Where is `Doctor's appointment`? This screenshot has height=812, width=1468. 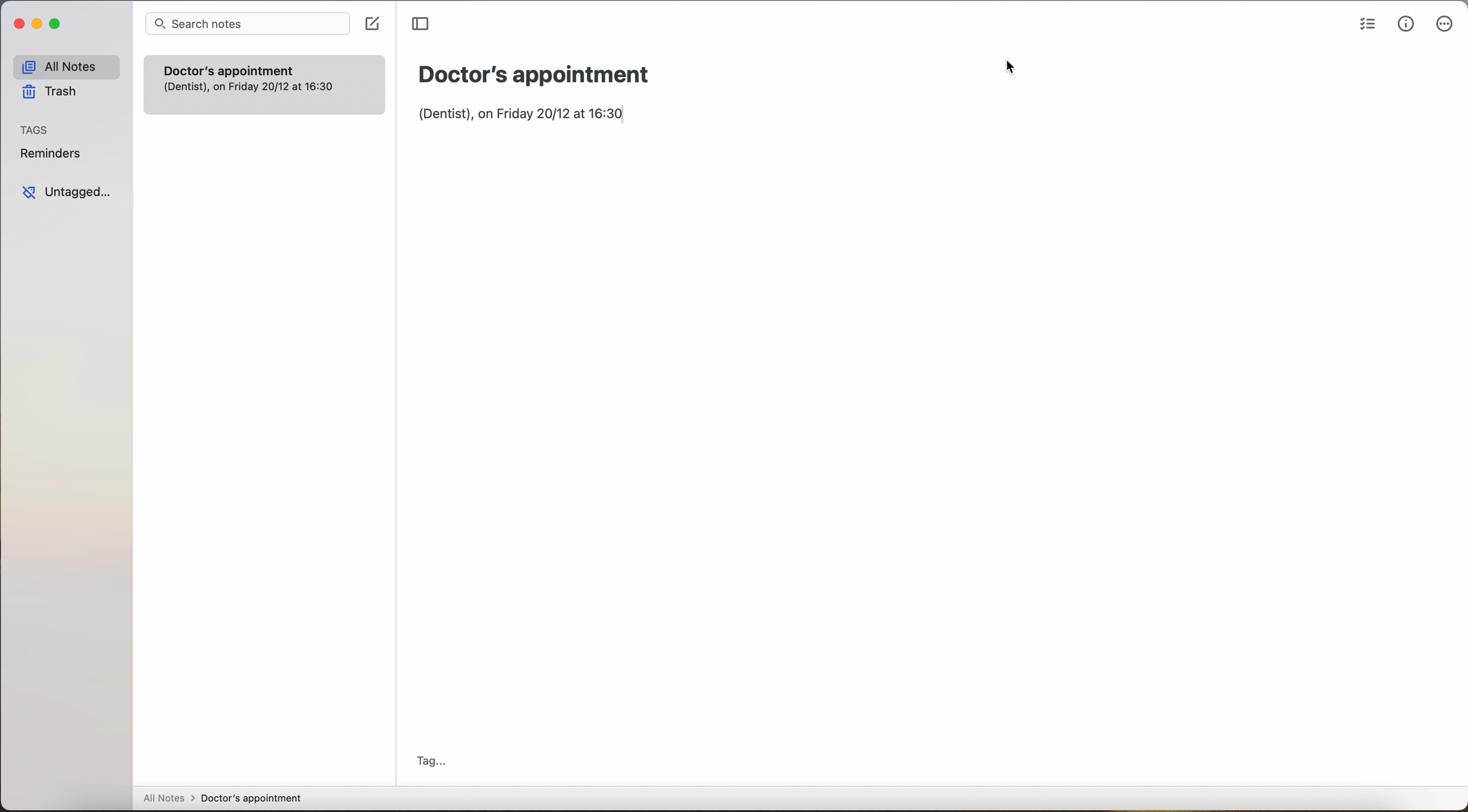
Doctor's appointment is located at coordinates (265, 67).